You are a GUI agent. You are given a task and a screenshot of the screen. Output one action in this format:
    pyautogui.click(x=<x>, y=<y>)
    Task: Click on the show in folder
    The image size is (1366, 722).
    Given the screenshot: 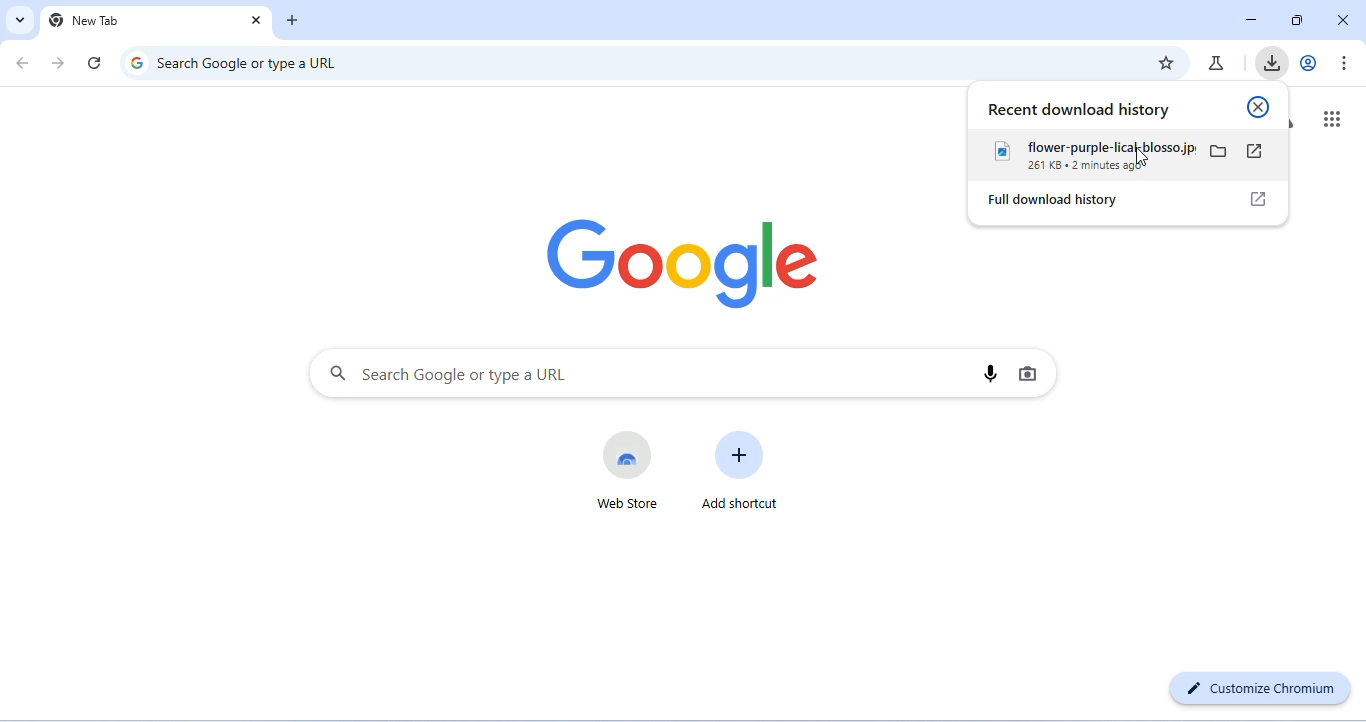 What is the action you would take?
    pyautogui.click(x=1221, y=152)
    